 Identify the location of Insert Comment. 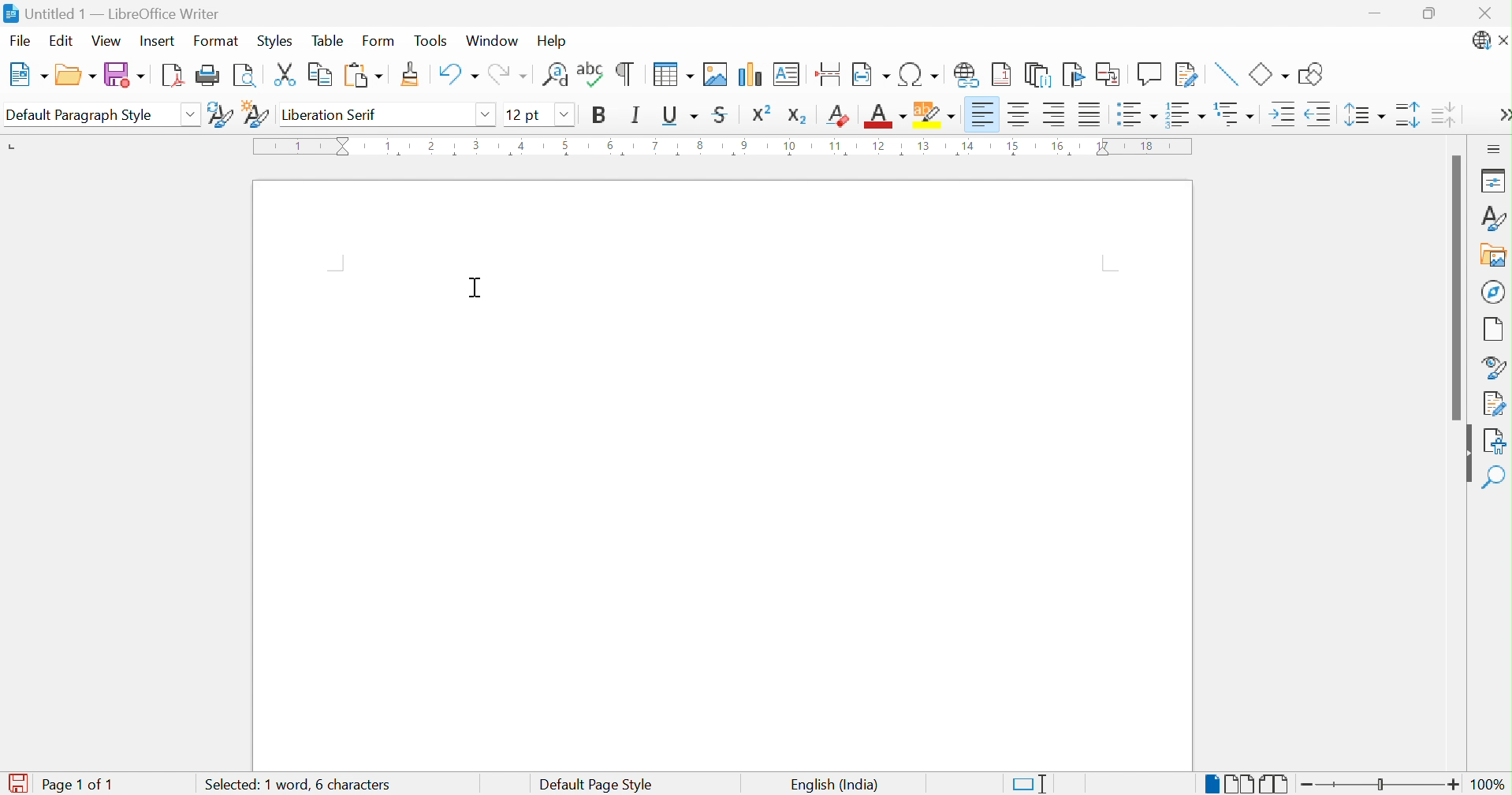
(1149, 74).